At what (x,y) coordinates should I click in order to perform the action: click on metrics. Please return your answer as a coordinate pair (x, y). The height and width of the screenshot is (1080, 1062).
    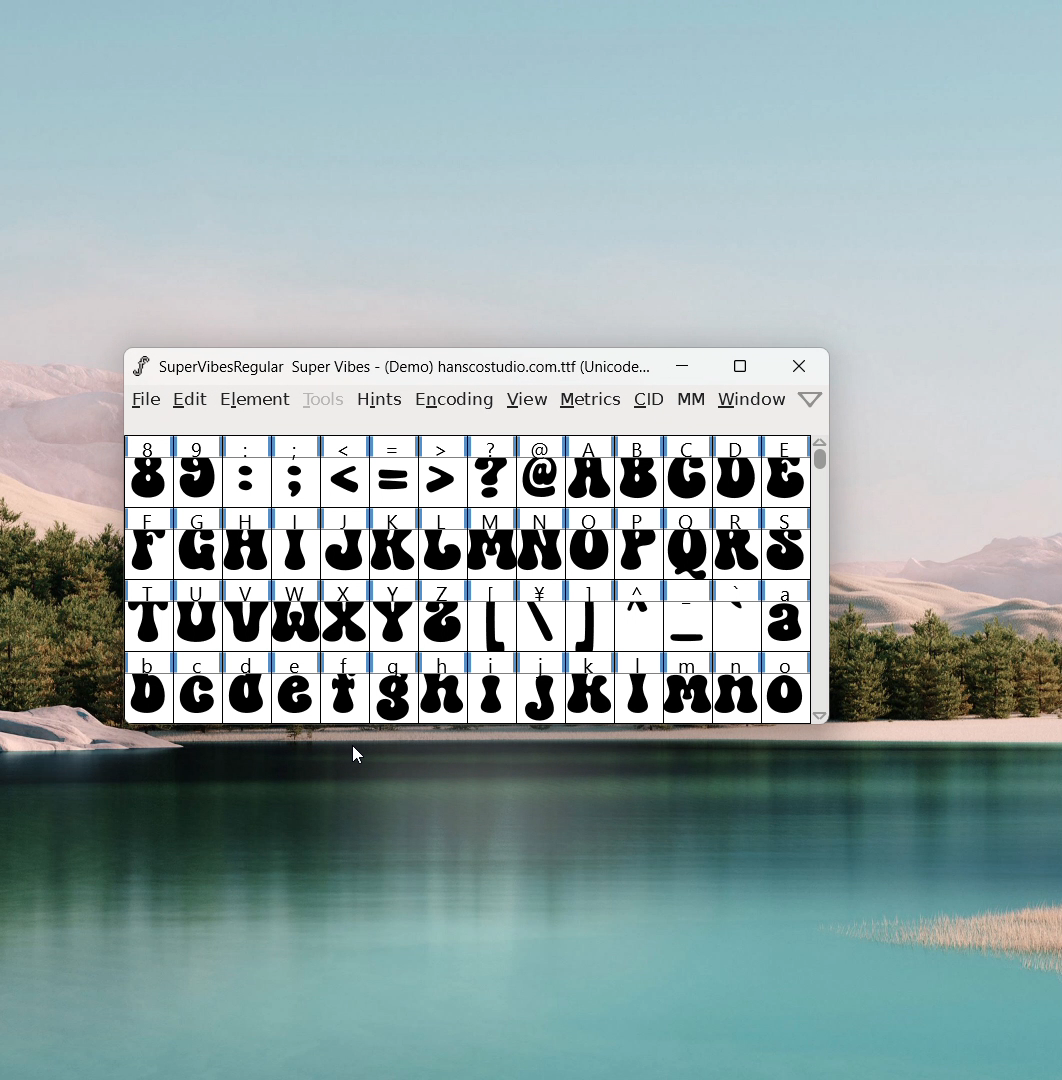
    Looking at the image, I should click on (589, 403).